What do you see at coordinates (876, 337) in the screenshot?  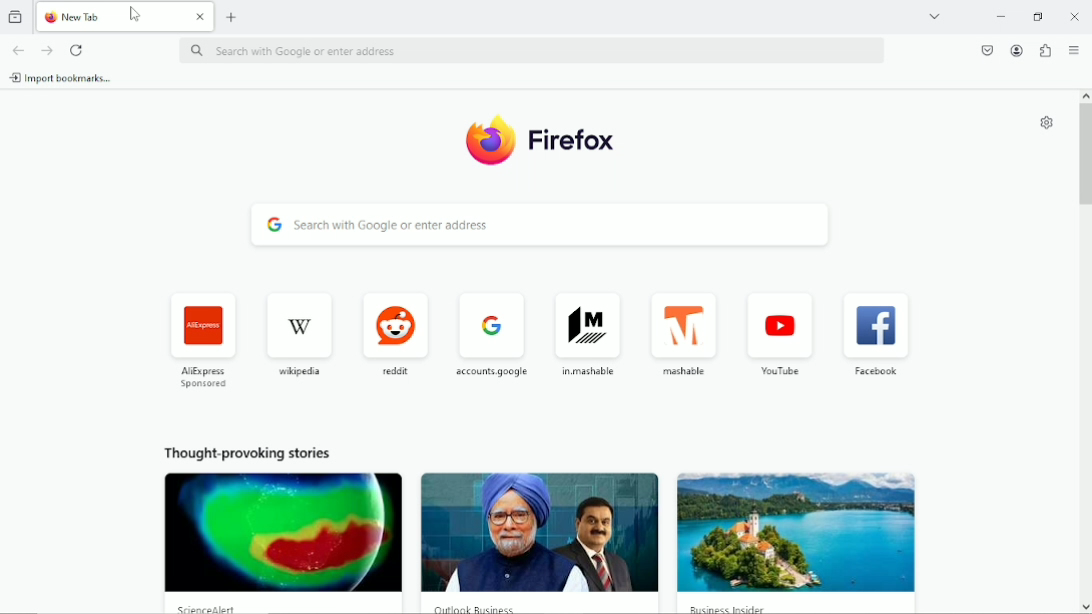 I see `Facebook` at bounding box center [876, 337].